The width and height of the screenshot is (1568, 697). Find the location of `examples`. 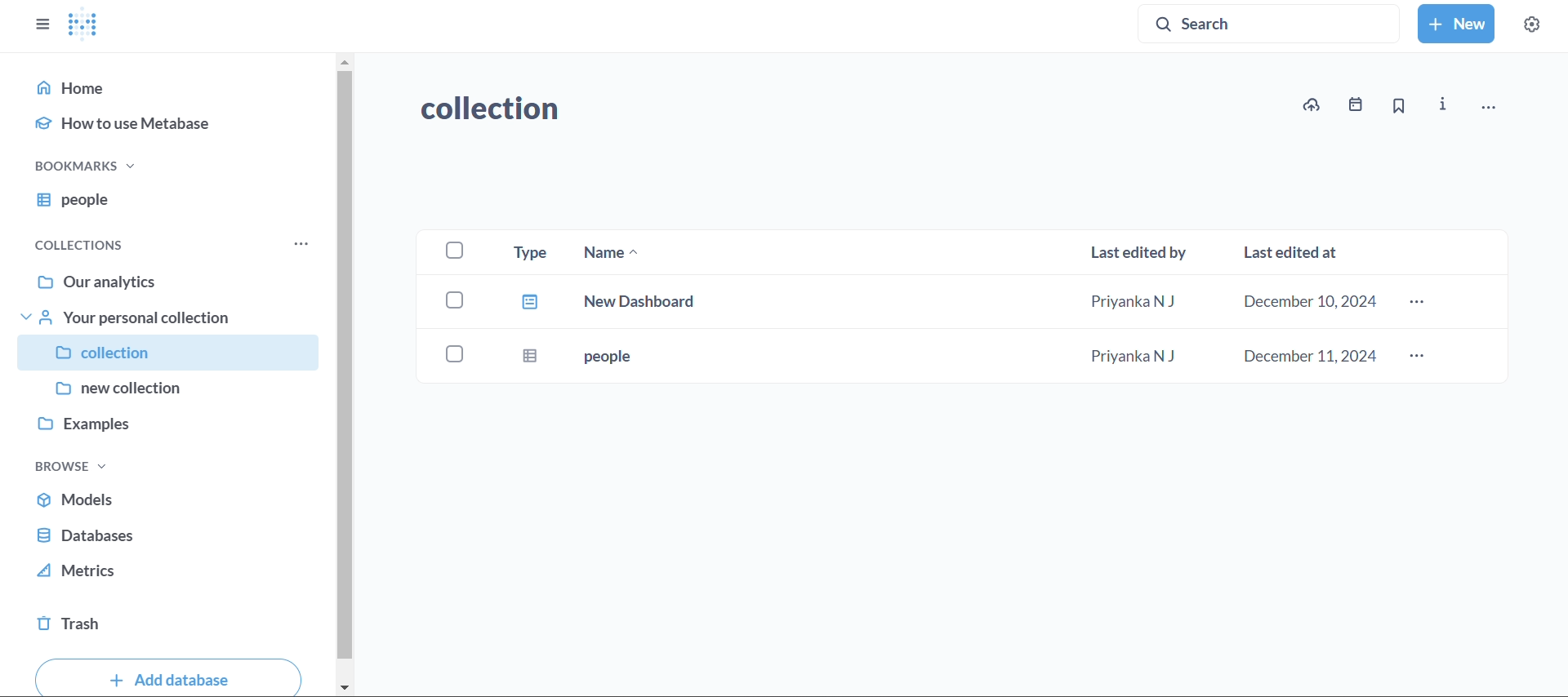

examples is located at coordinates (166, 427).